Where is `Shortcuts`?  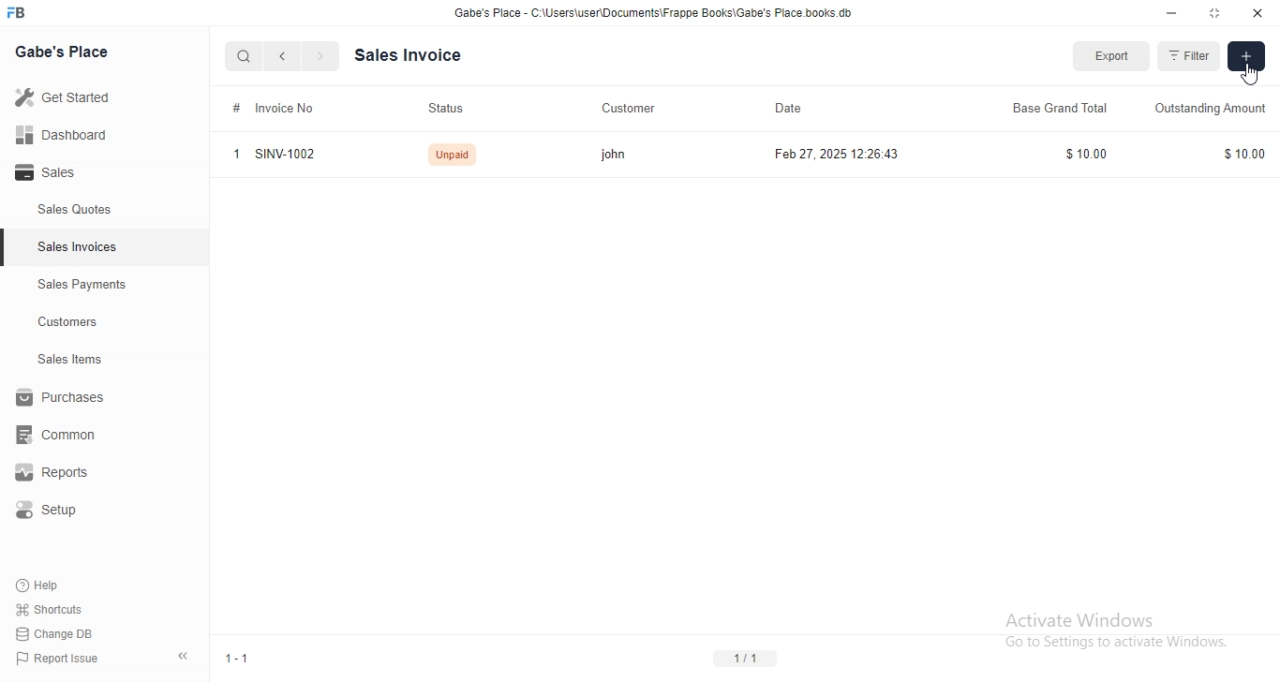
Shortcuts is located at coordinates (61, 608).